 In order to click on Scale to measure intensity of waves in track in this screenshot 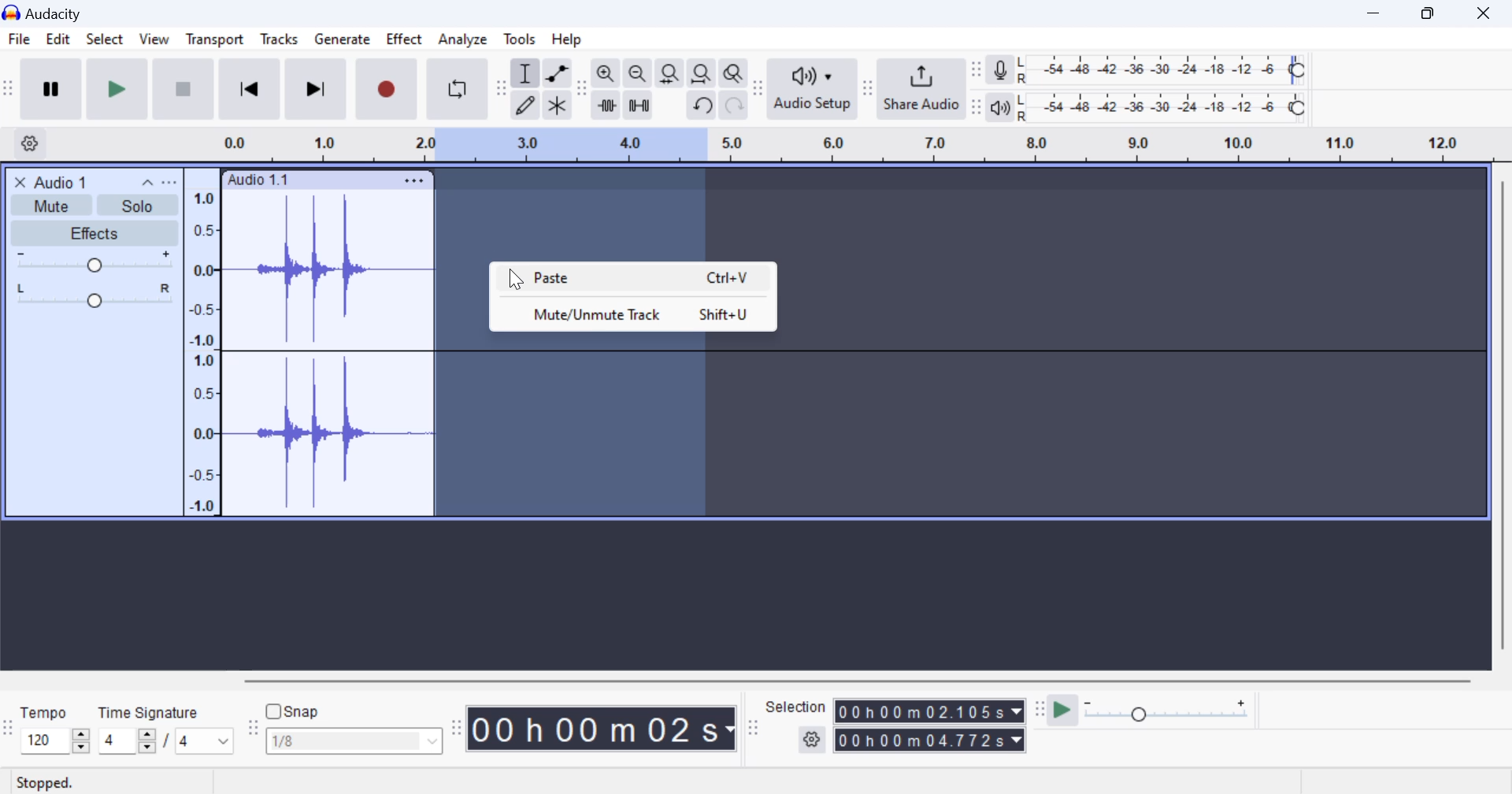, I will do `click(201, 349)`.